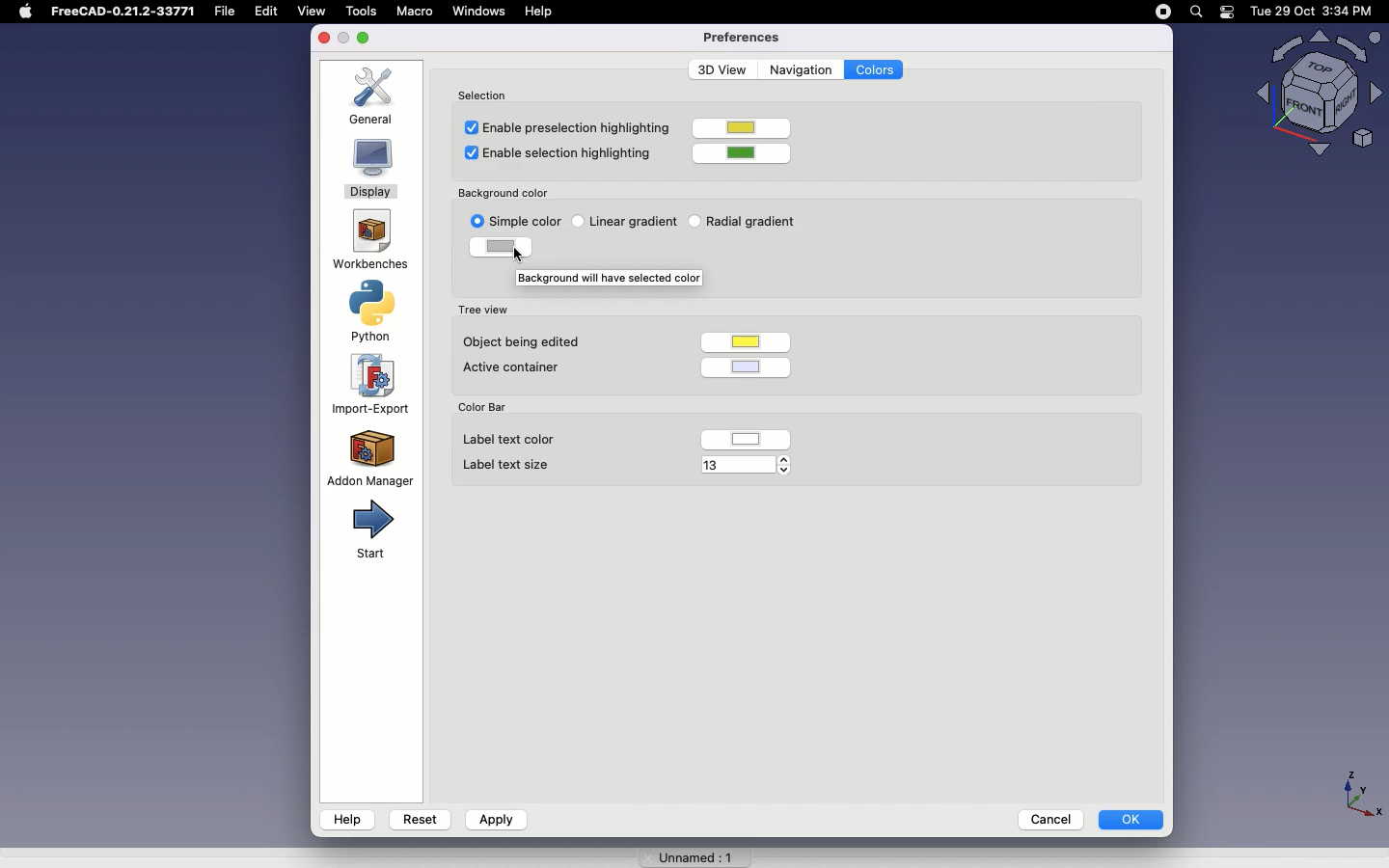  Describe the element at coordinates (487, 93) in the screenshot. I see `Selection` at that location.